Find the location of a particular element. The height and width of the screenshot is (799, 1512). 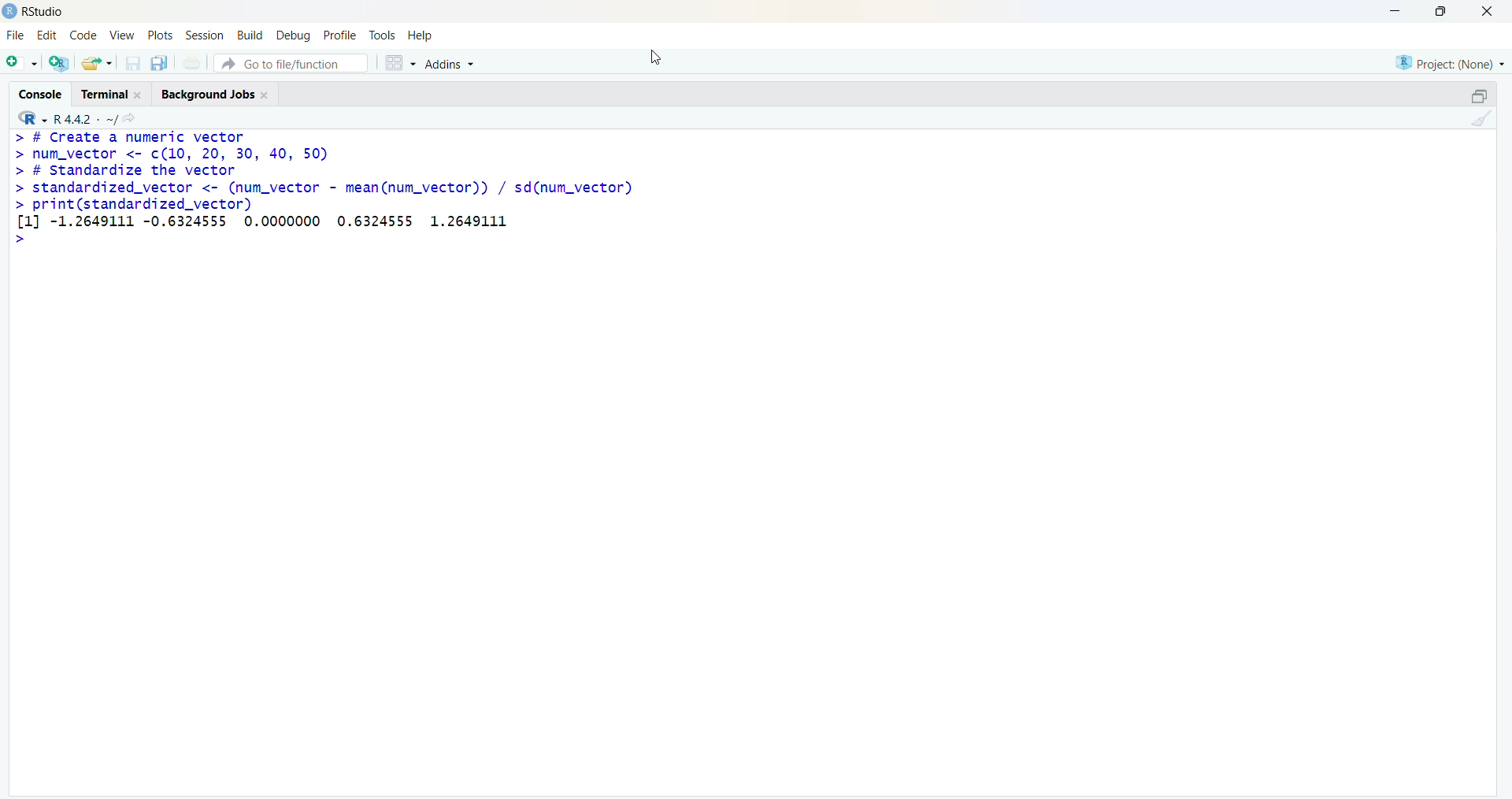

close is located at coordinates (139, 95).